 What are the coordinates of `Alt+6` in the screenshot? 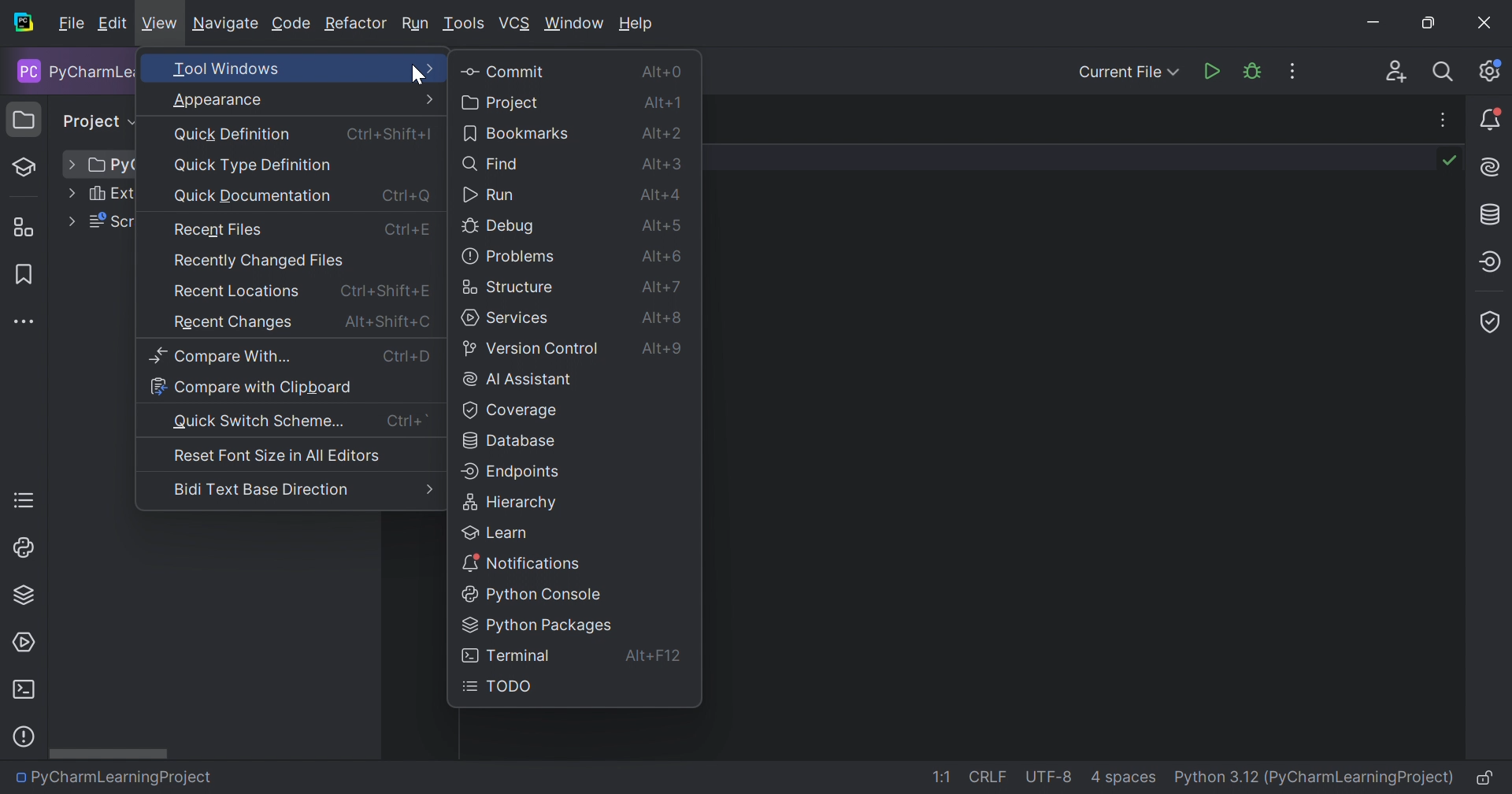 It's located at (662, 254).